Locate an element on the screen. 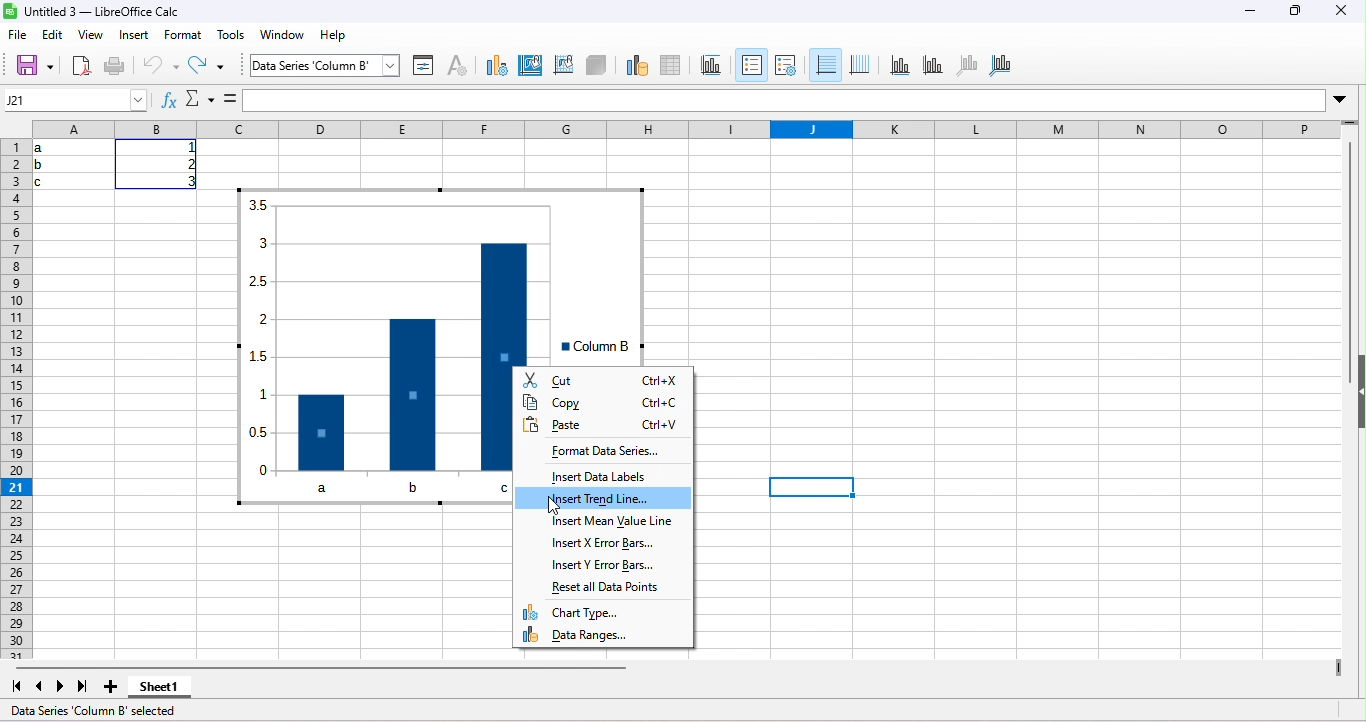  file is located at coordinates (18, 37).